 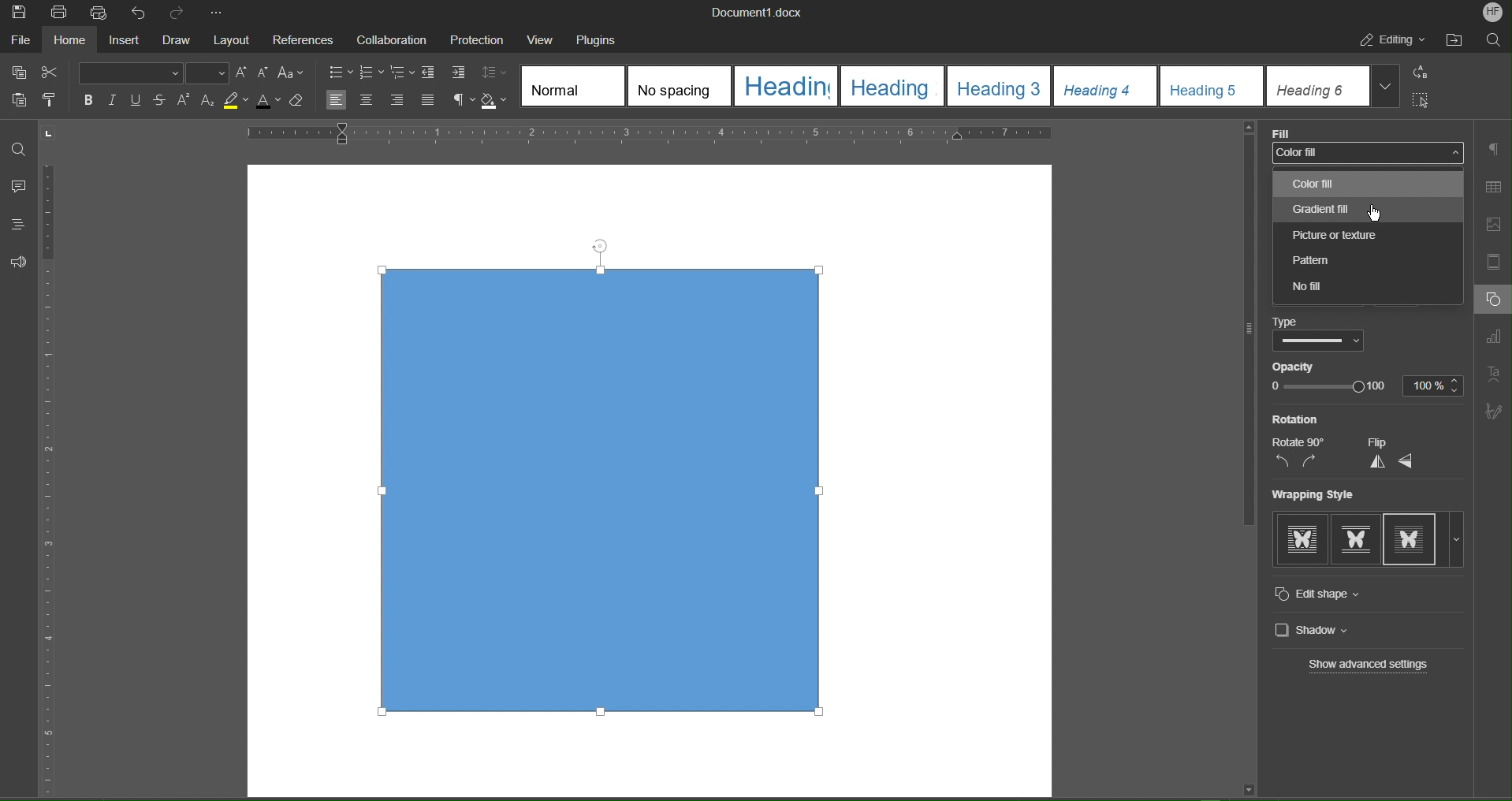 I want to click on Nested List, so click(x=404, y=73).